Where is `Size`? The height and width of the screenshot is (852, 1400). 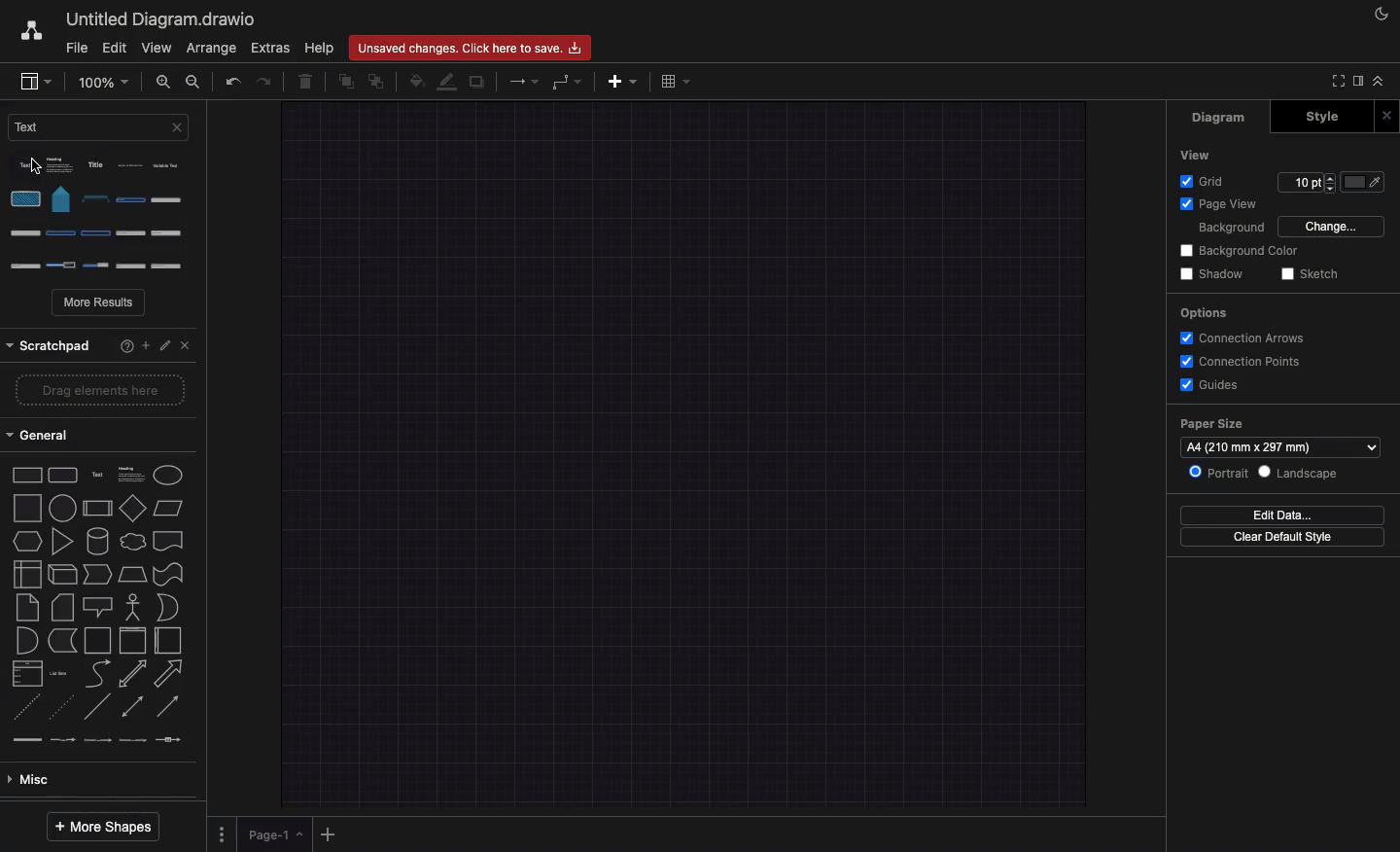
Size is located at coordinates (1307, 183).